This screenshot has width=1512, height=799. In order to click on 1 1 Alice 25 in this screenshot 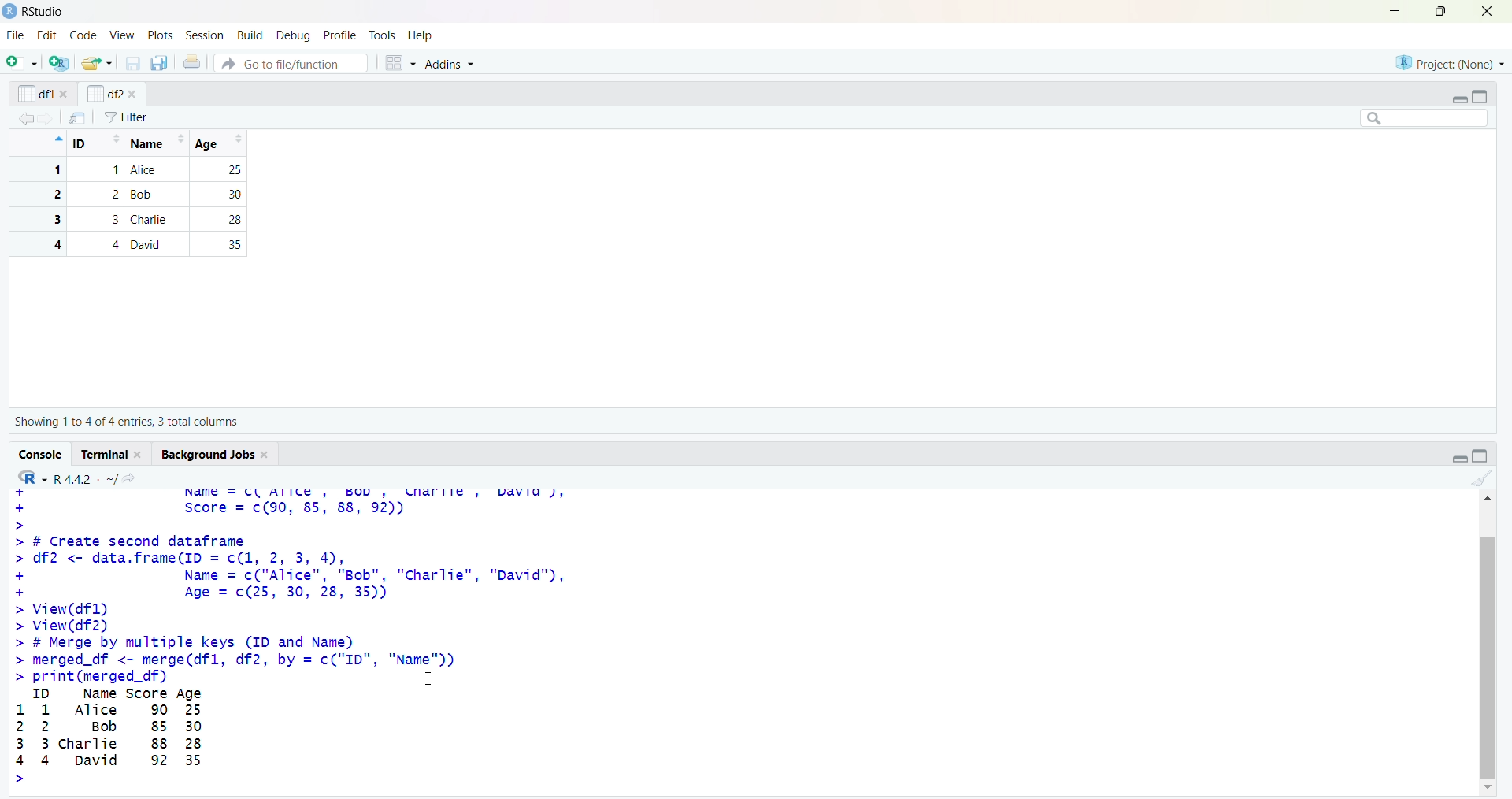, I will do `click(135, 170)`.